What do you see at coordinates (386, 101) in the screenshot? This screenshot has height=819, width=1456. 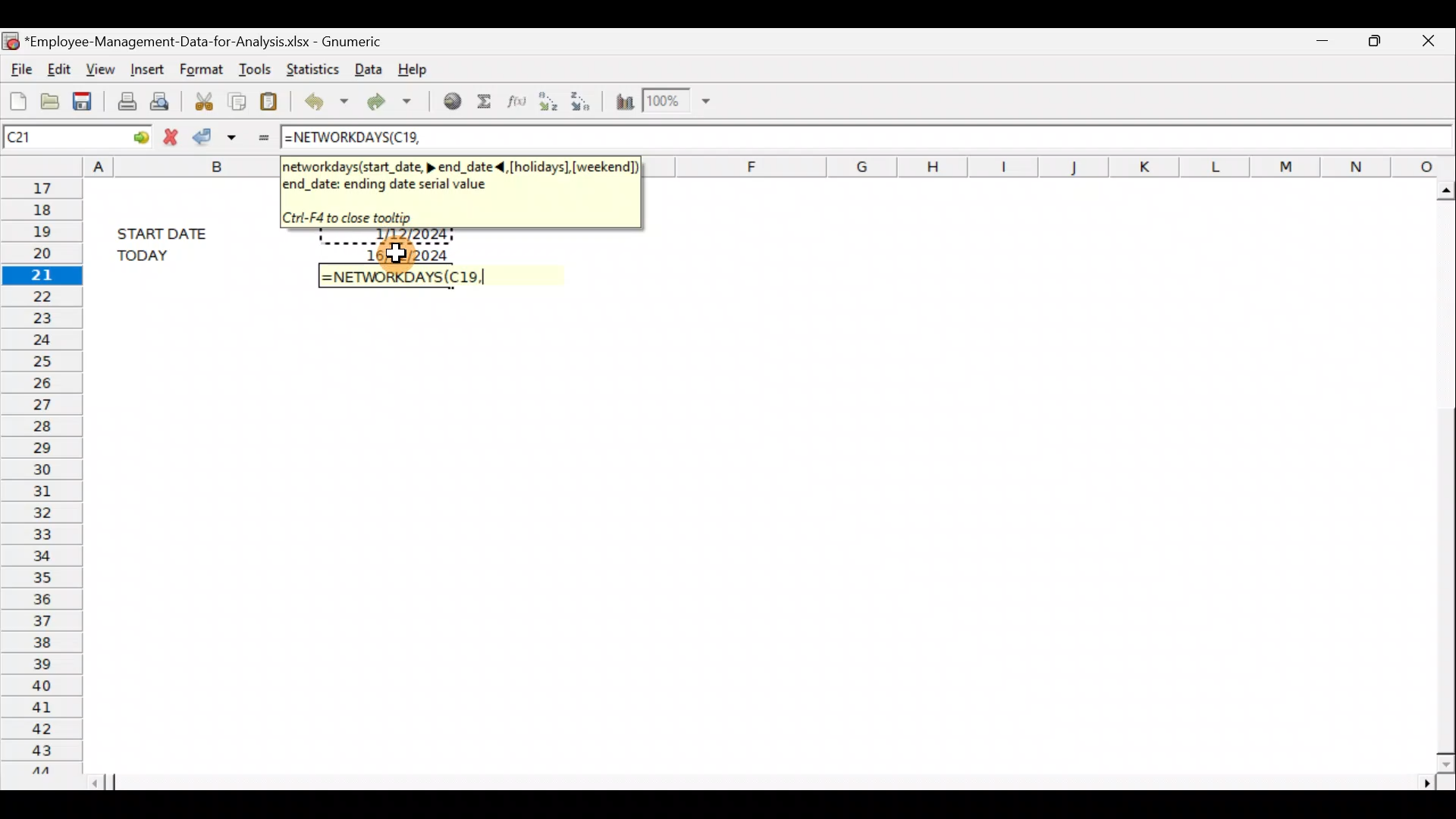 I see `Redo undone action` at bounding box center [386, 101].